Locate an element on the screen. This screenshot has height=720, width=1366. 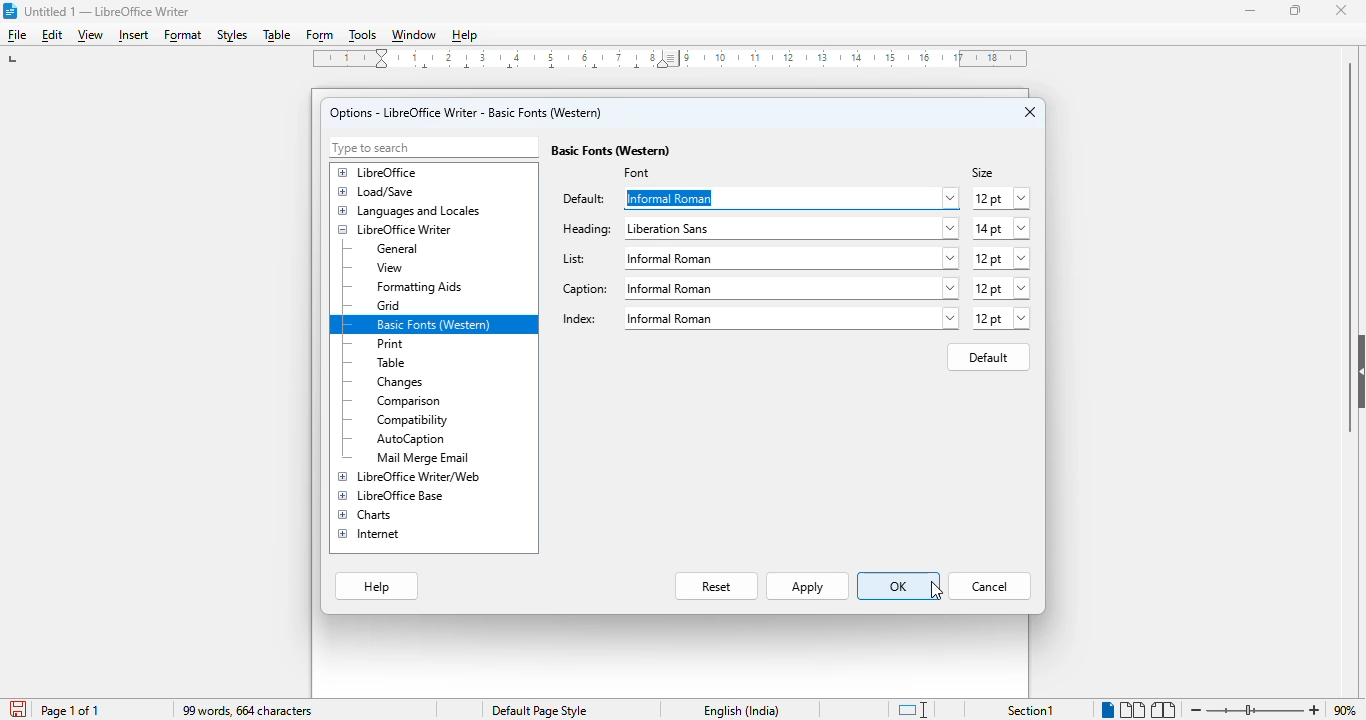
autocaption is located at coordinates (413, 439).